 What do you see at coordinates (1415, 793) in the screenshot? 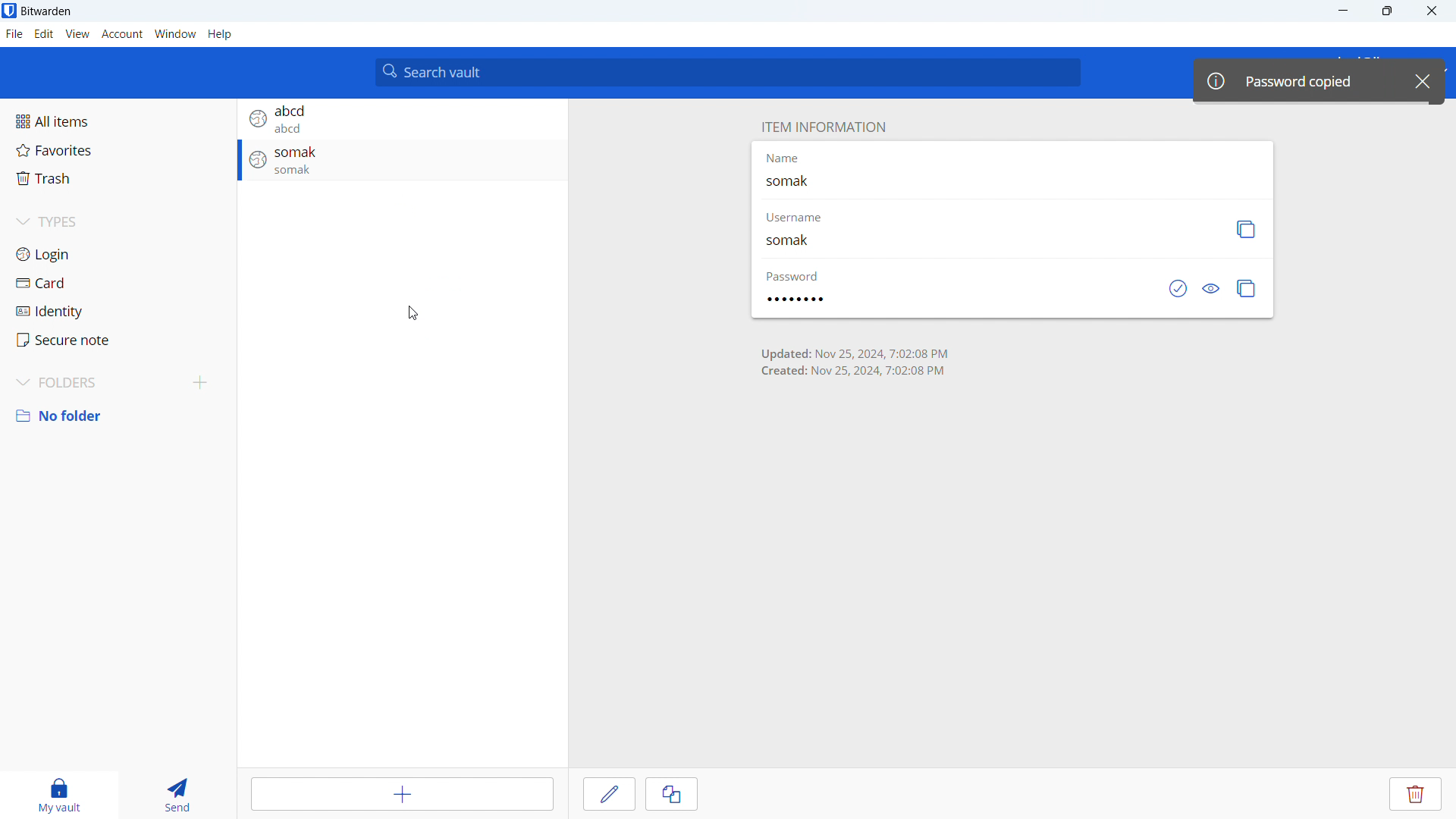
I see `delete entry` at bounding box center [1415, 793].